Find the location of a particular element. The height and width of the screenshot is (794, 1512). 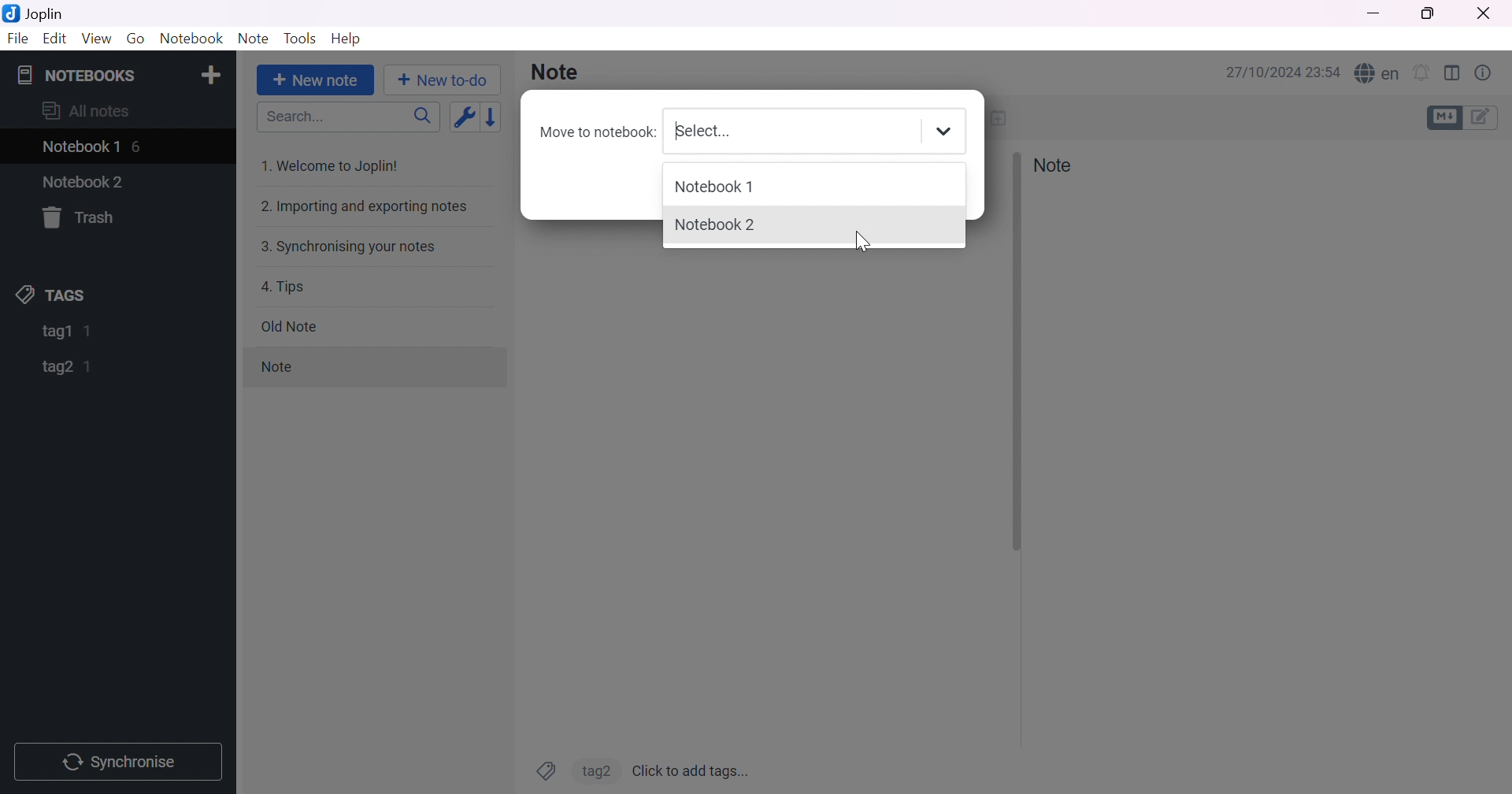

Add notebook is located at coordinates (212, 74).